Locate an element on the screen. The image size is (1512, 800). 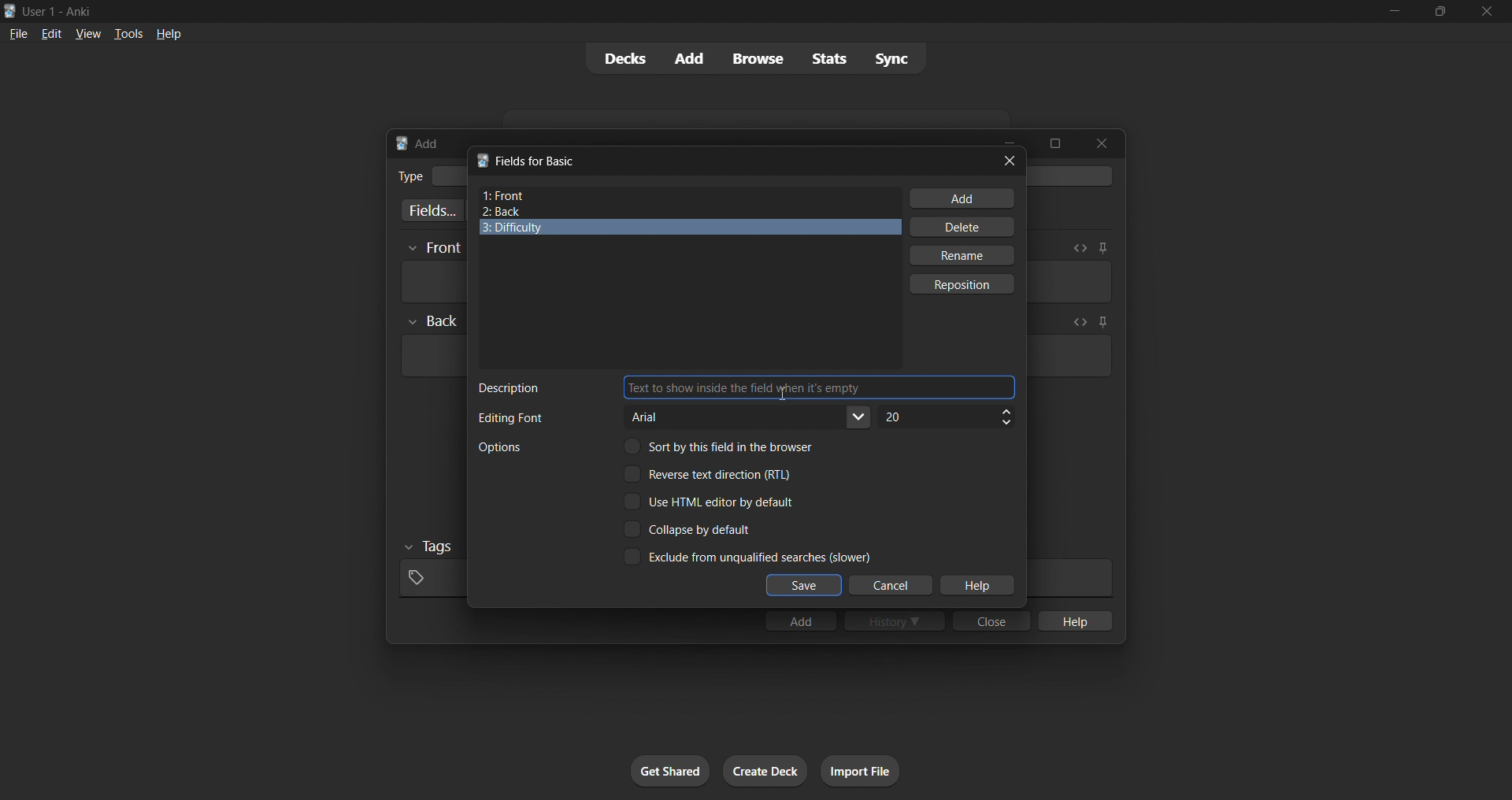
browse is located at coordinates (758, 58).